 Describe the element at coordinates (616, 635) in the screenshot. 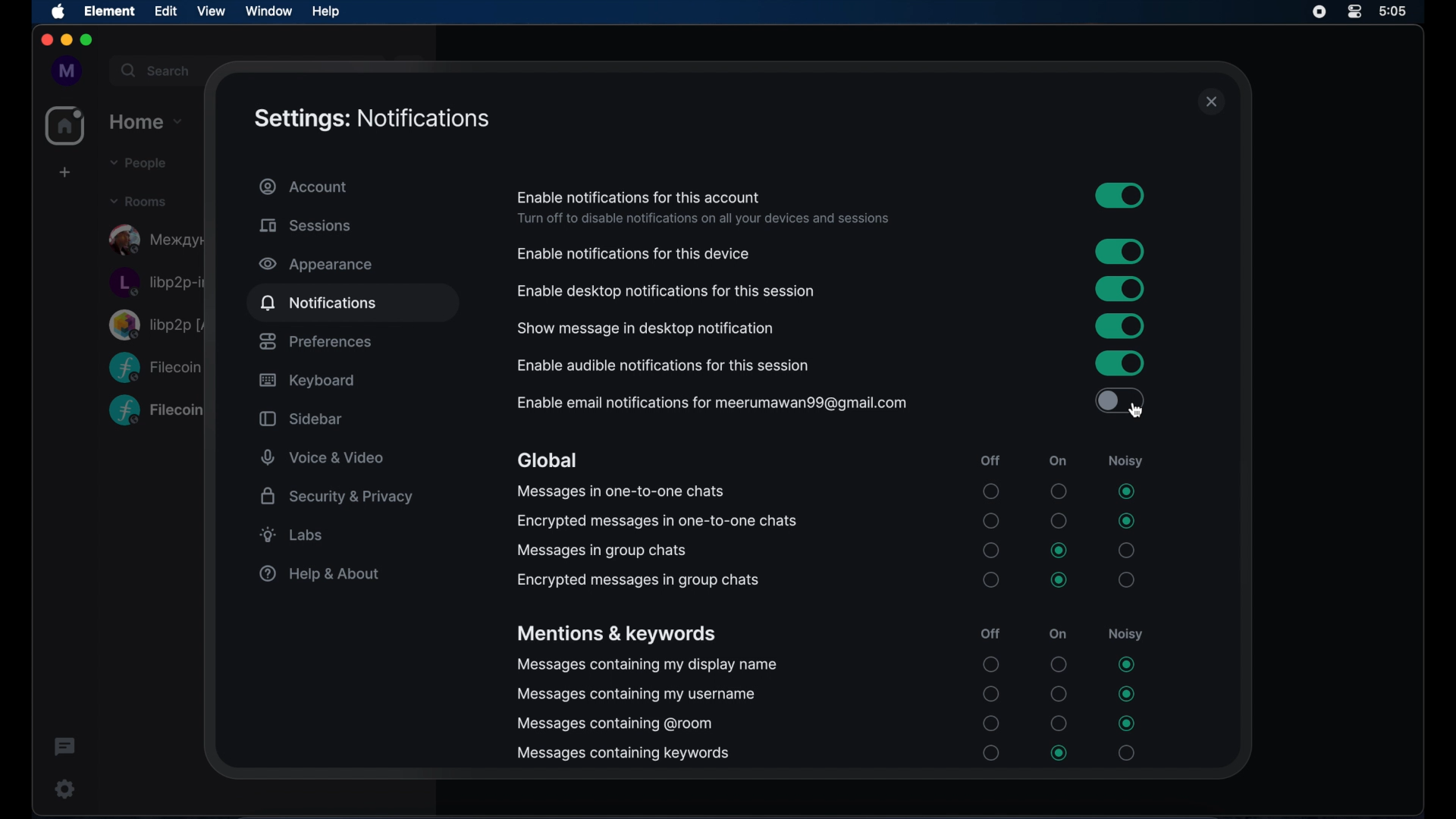

I see `mentions  and keywords` at that location.